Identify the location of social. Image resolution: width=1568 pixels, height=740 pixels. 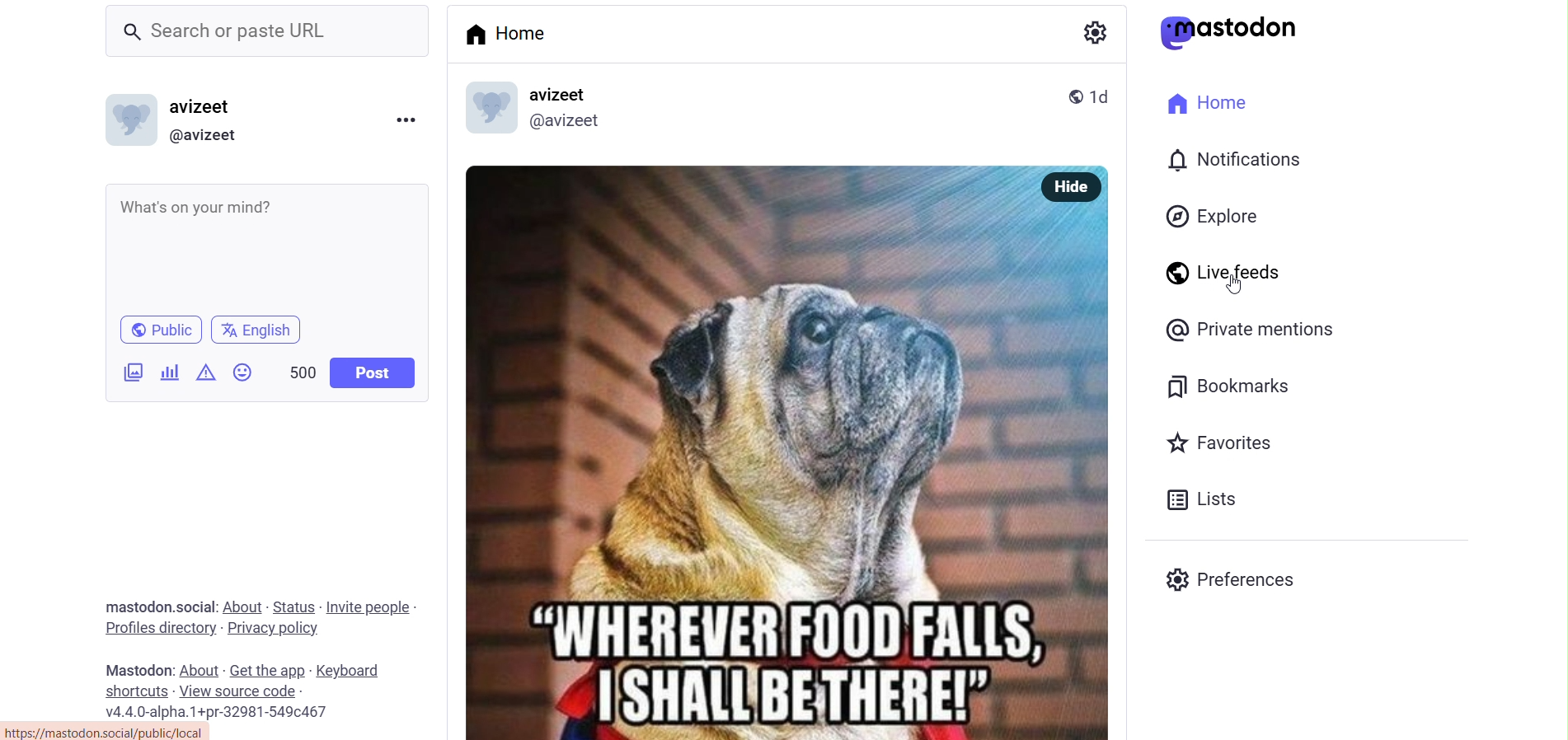
(194, 606).